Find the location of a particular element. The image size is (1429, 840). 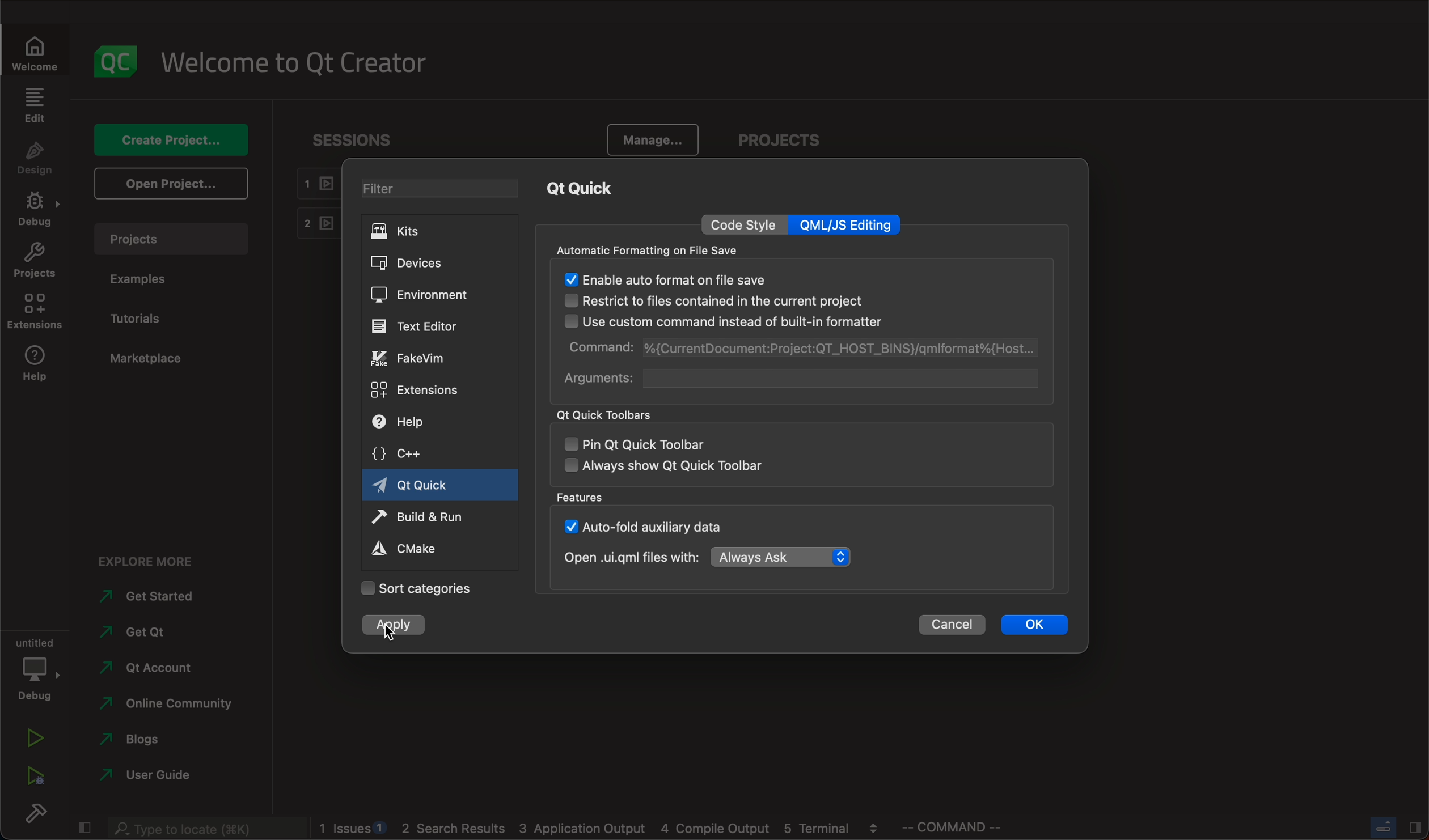

marketplace is located at coordinates (166, 358).